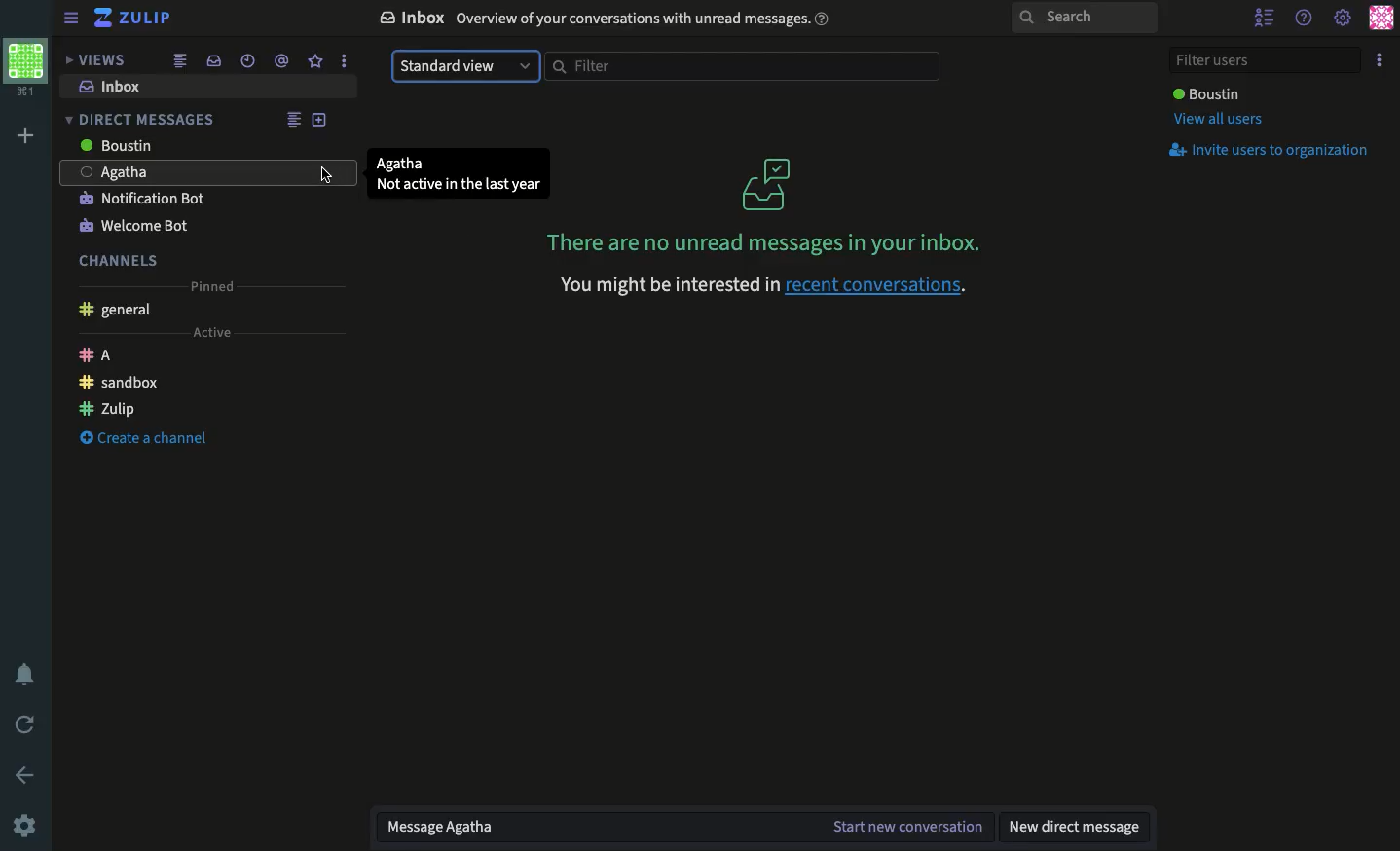  What do you see at coordinates (464, 66) in the screenshot?
I see `Standard view` at bounding box center [464, 66].